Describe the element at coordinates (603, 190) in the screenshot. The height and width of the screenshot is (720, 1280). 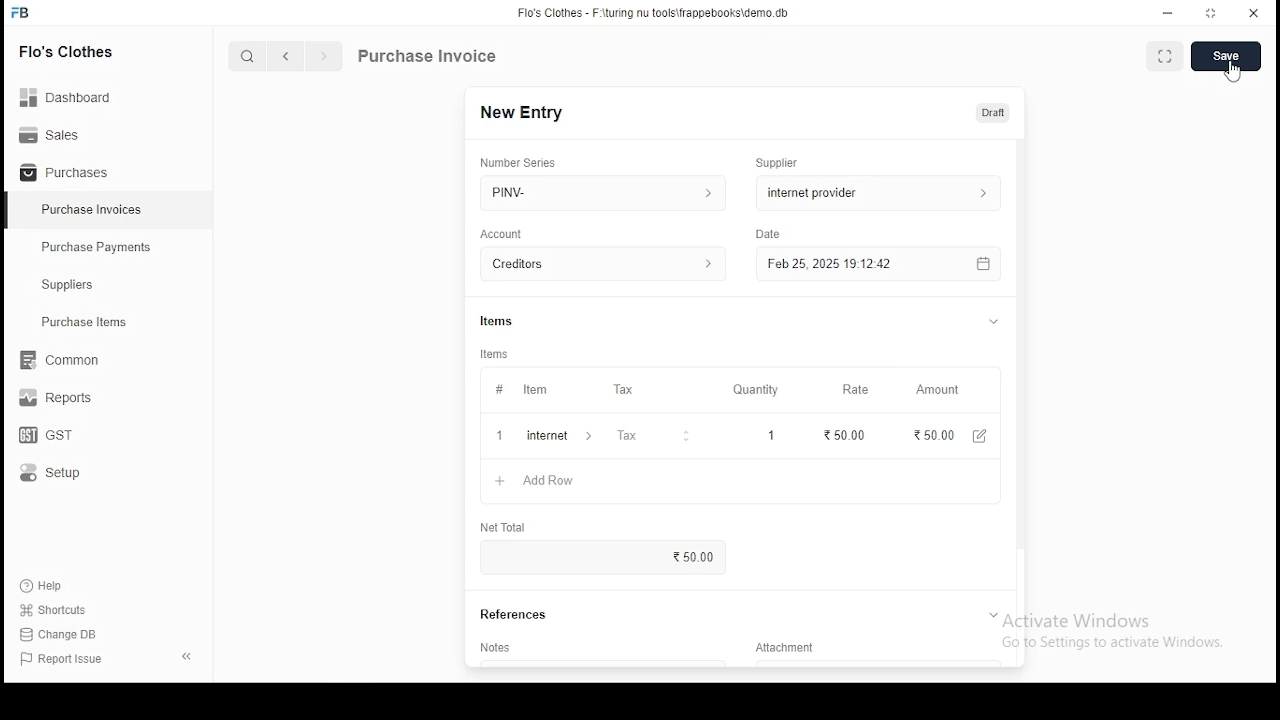
I see `PINV` at that location.